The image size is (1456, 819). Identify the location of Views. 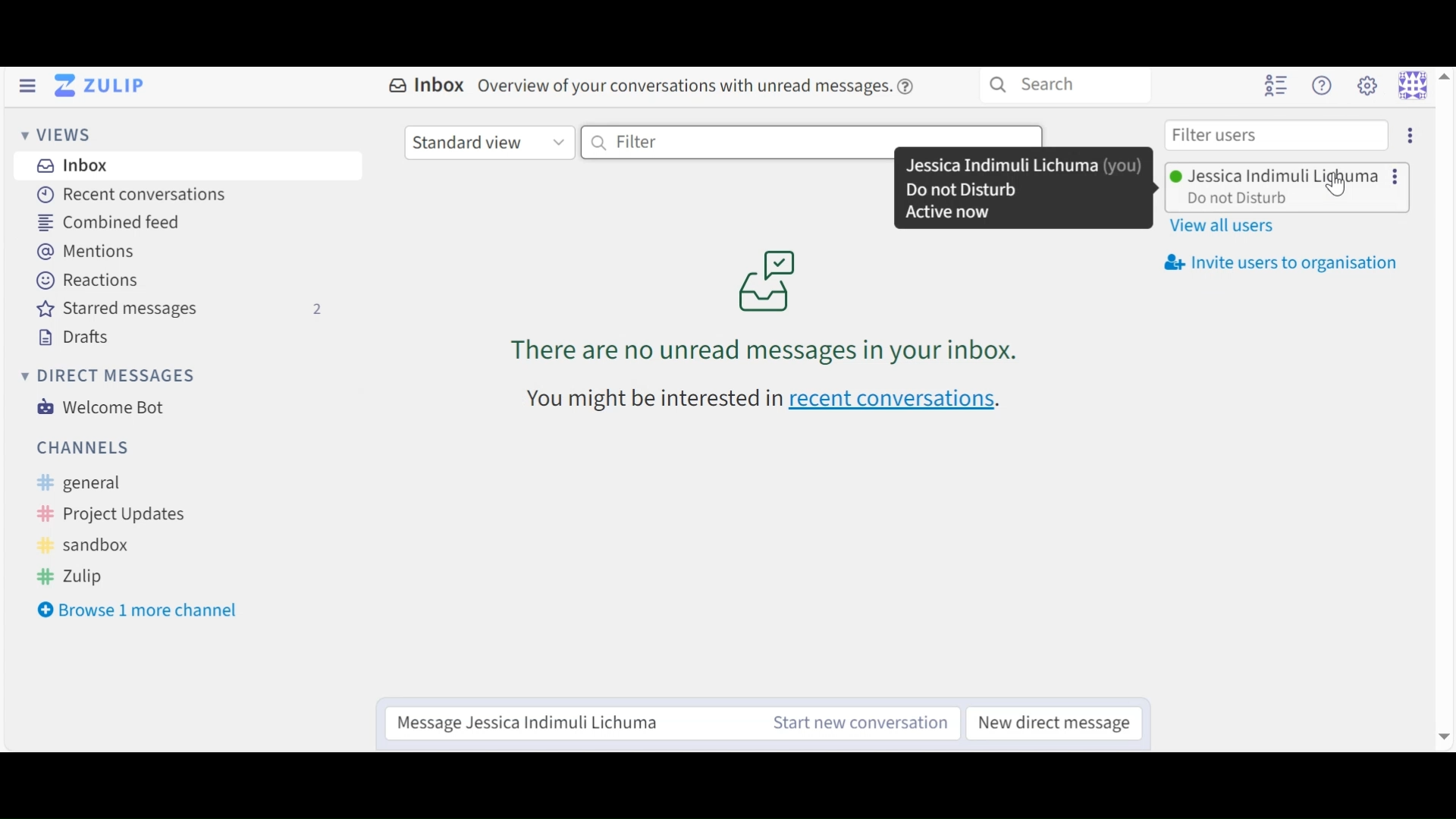
(58, 136).